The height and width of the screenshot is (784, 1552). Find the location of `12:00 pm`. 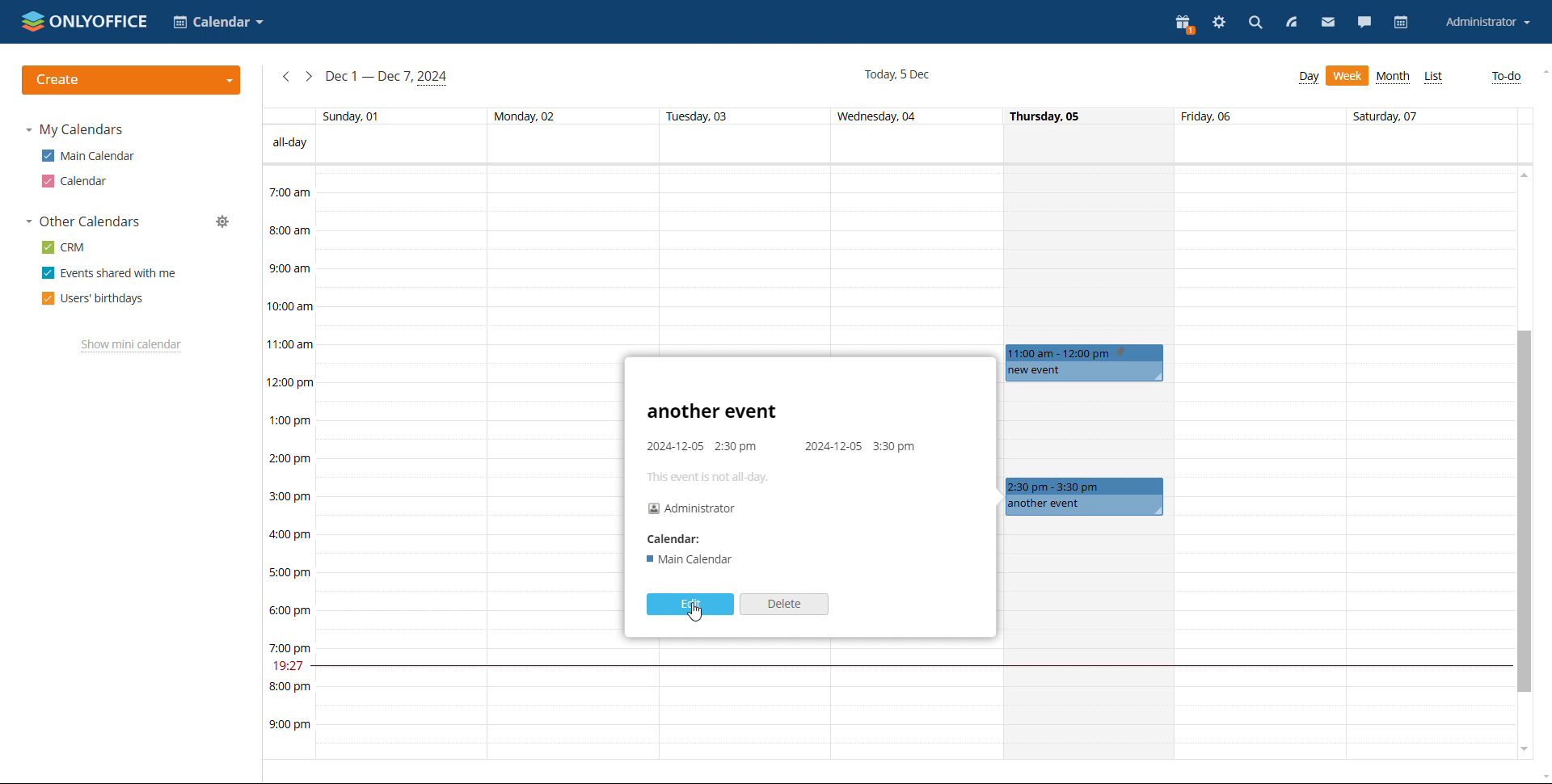

12:00 pm is located at coordinates (291, 383).